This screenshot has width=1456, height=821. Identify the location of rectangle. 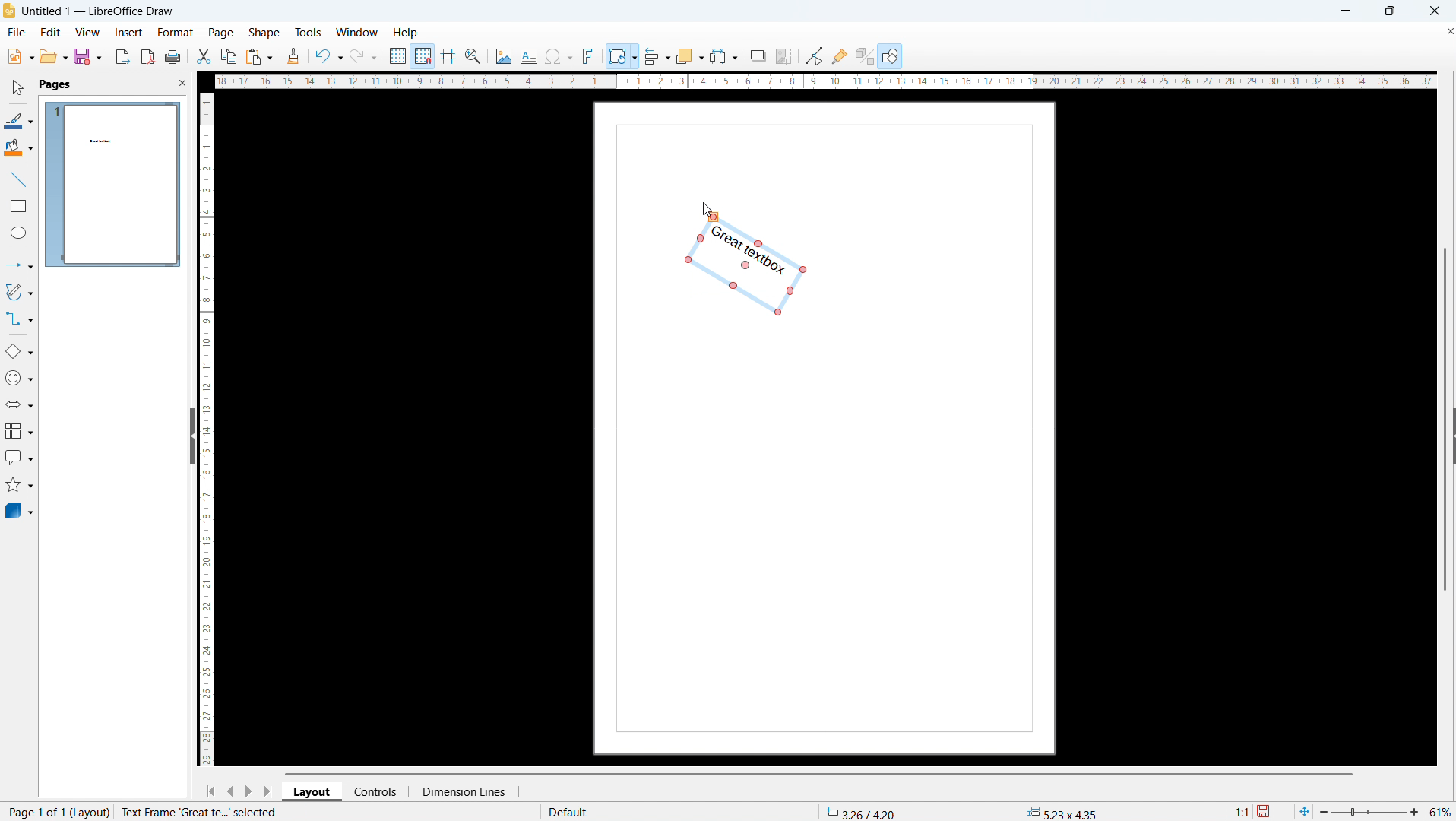
(19, 205).